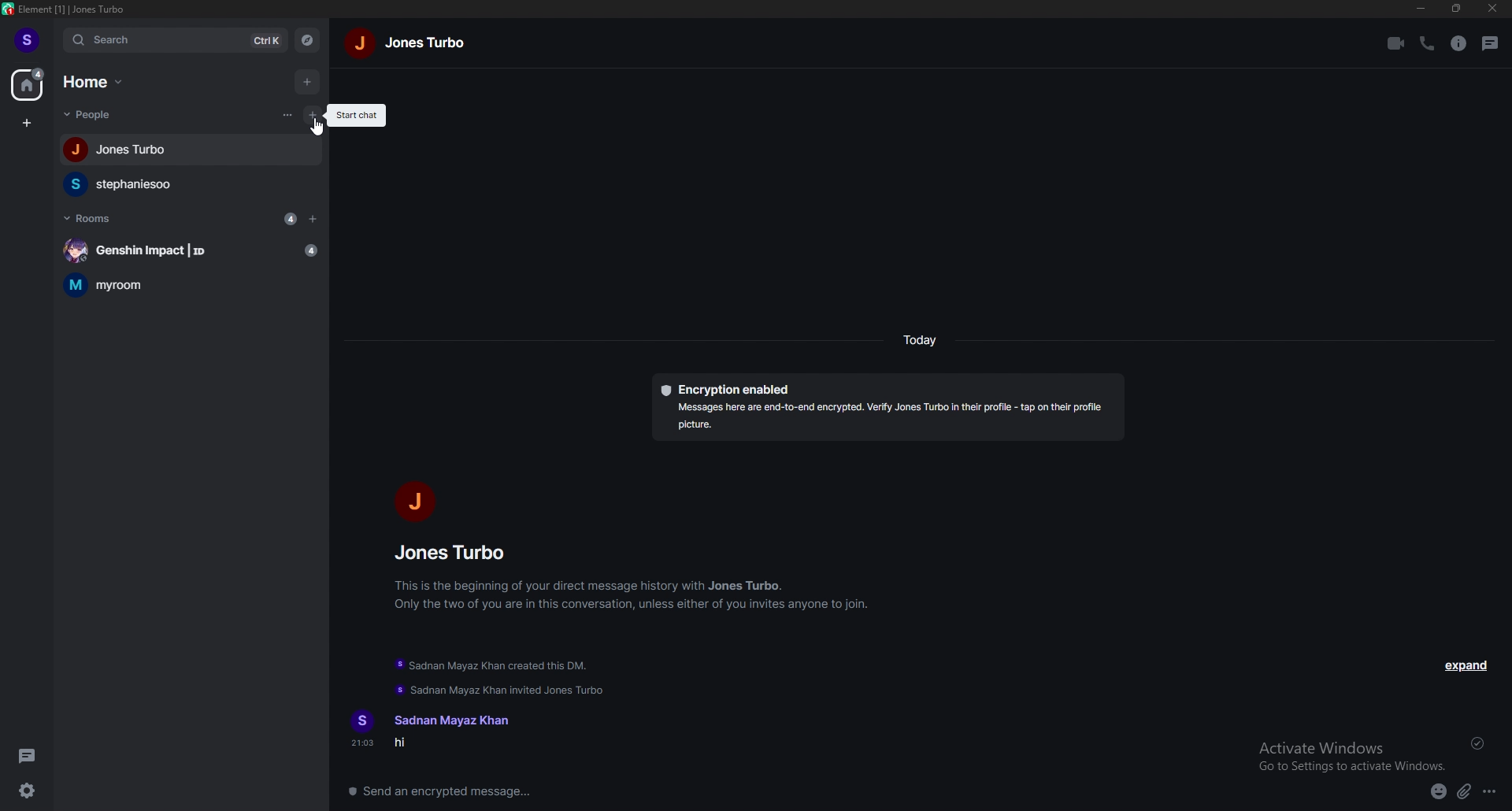  What do you see at coordinates (285, 116) in the screenshot?
I see `list options` at bounding box center [285, 116].